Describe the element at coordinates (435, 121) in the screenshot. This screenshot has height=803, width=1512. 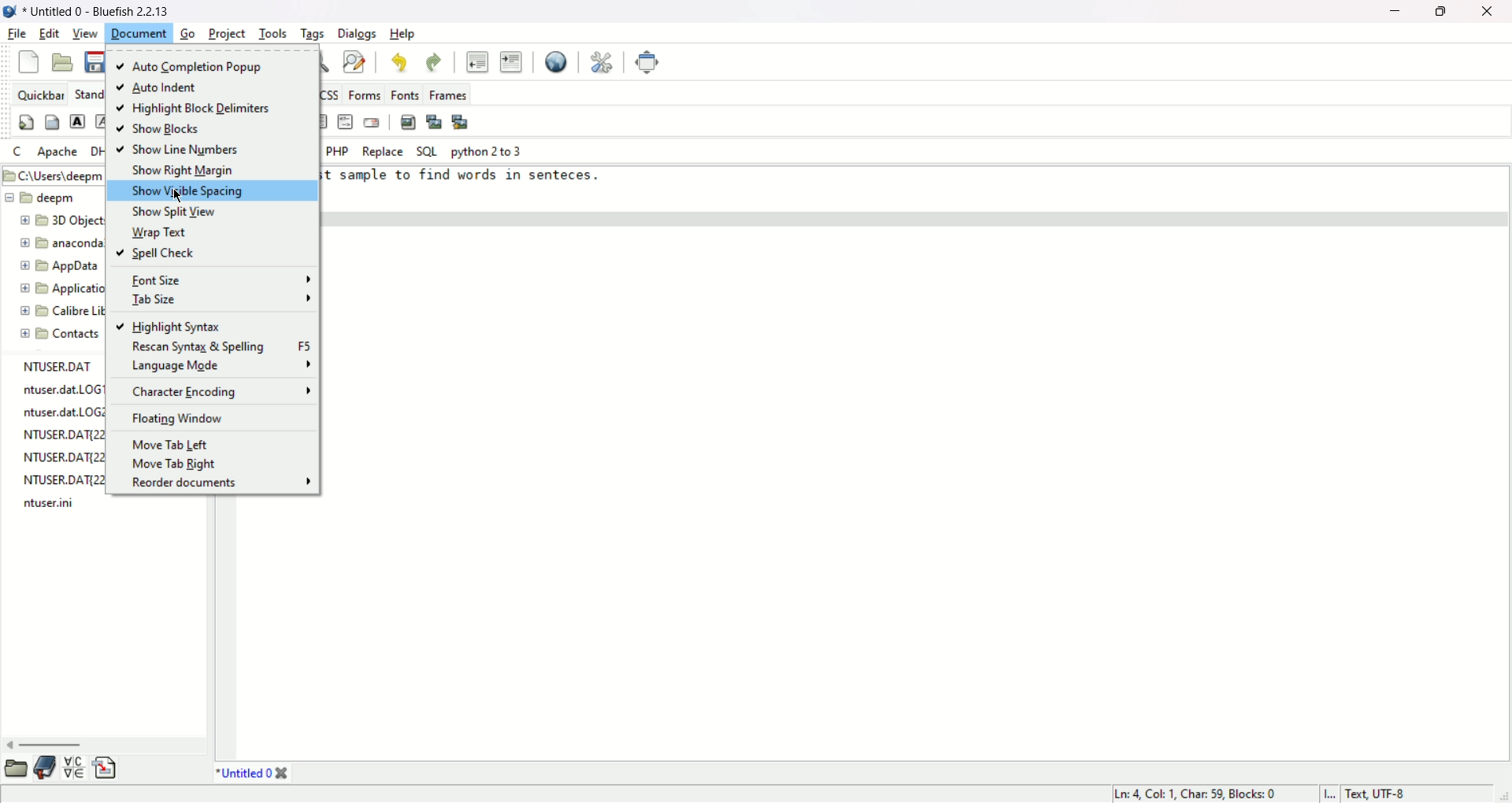
I see `insert thumbnail` at that location.